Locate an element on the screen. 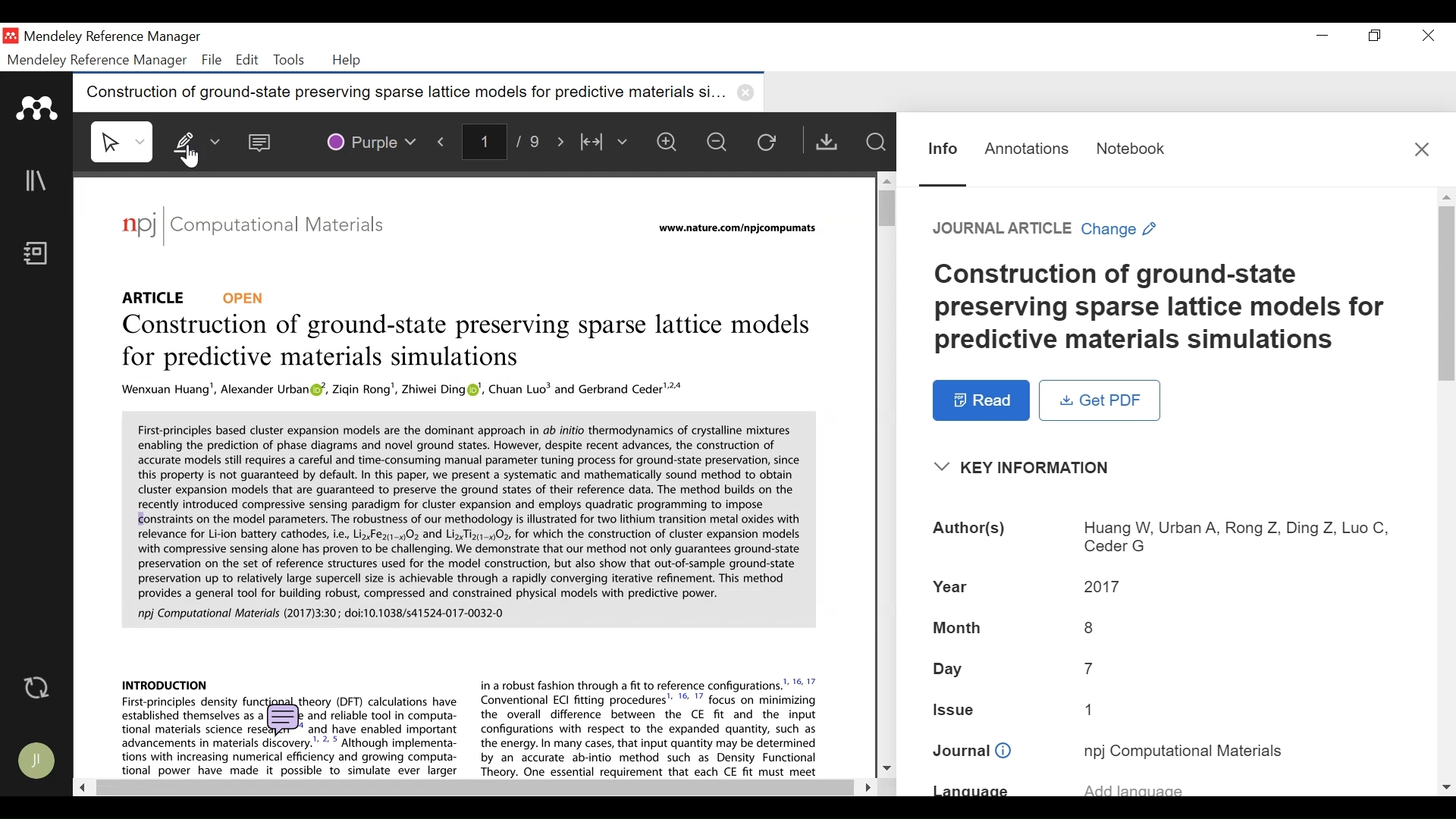 The height and width of the screenshot is (819, 1456). Sync is located at coordinates (38, 688).